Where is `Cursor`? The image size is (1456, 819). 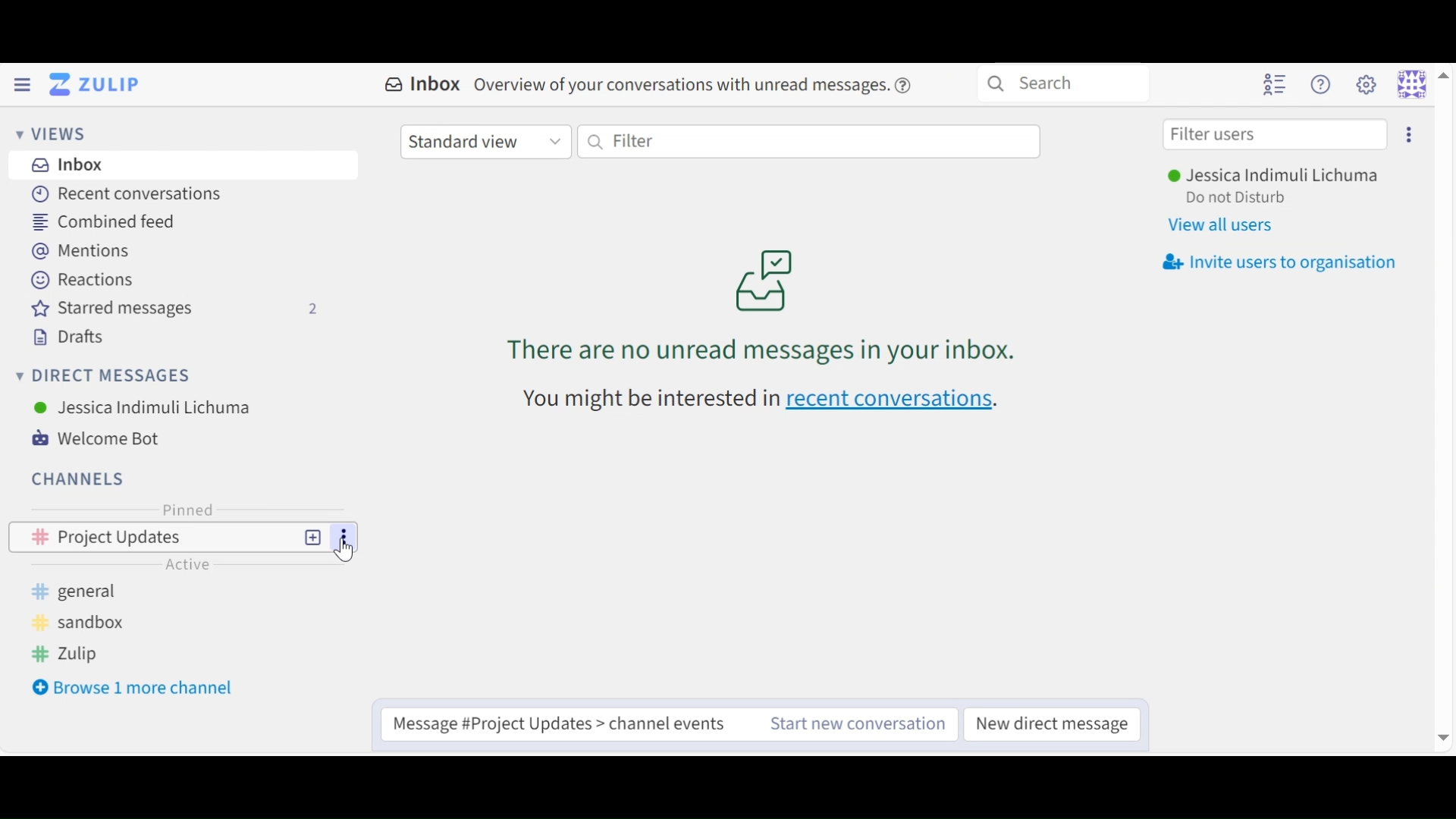 Cursor is located at coordinates (347, 552).